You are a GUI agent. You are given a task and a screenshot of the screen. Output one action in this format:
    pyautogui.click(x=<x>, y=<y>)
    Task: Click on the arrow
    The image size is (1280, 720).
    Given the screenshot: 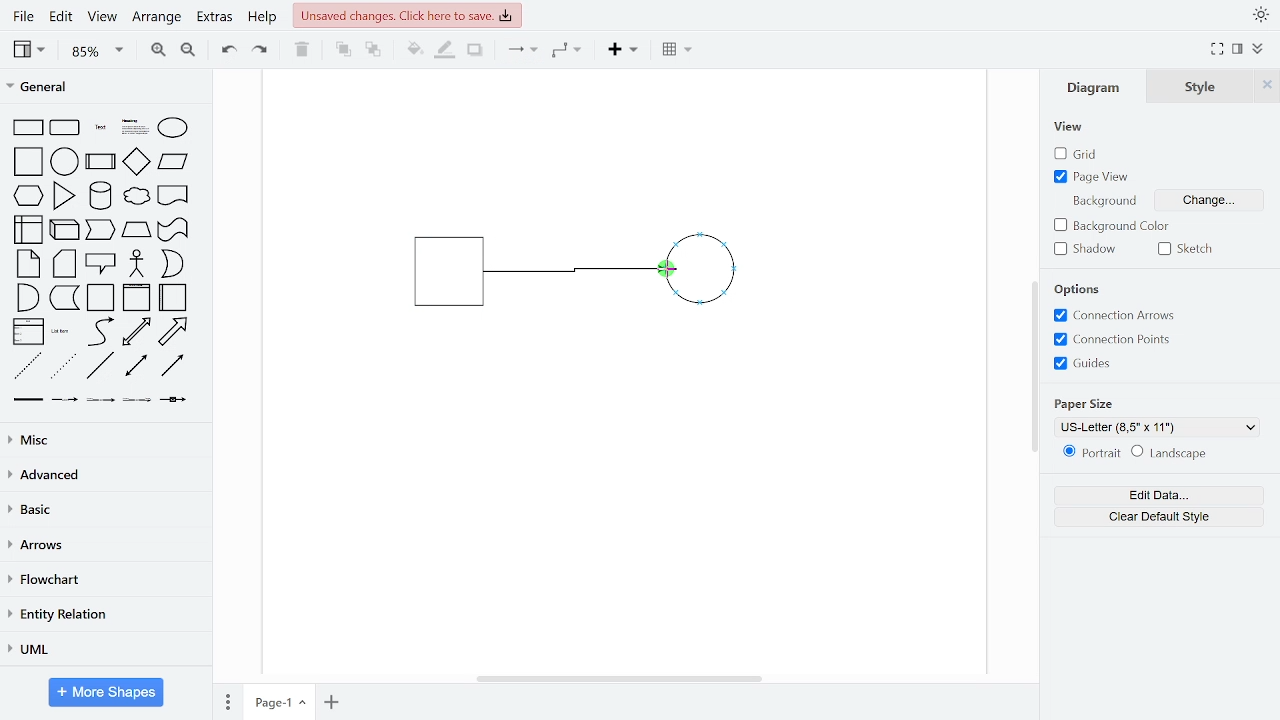 What is the action you would take?
    pyautogui.click(x=173, y=332)
    